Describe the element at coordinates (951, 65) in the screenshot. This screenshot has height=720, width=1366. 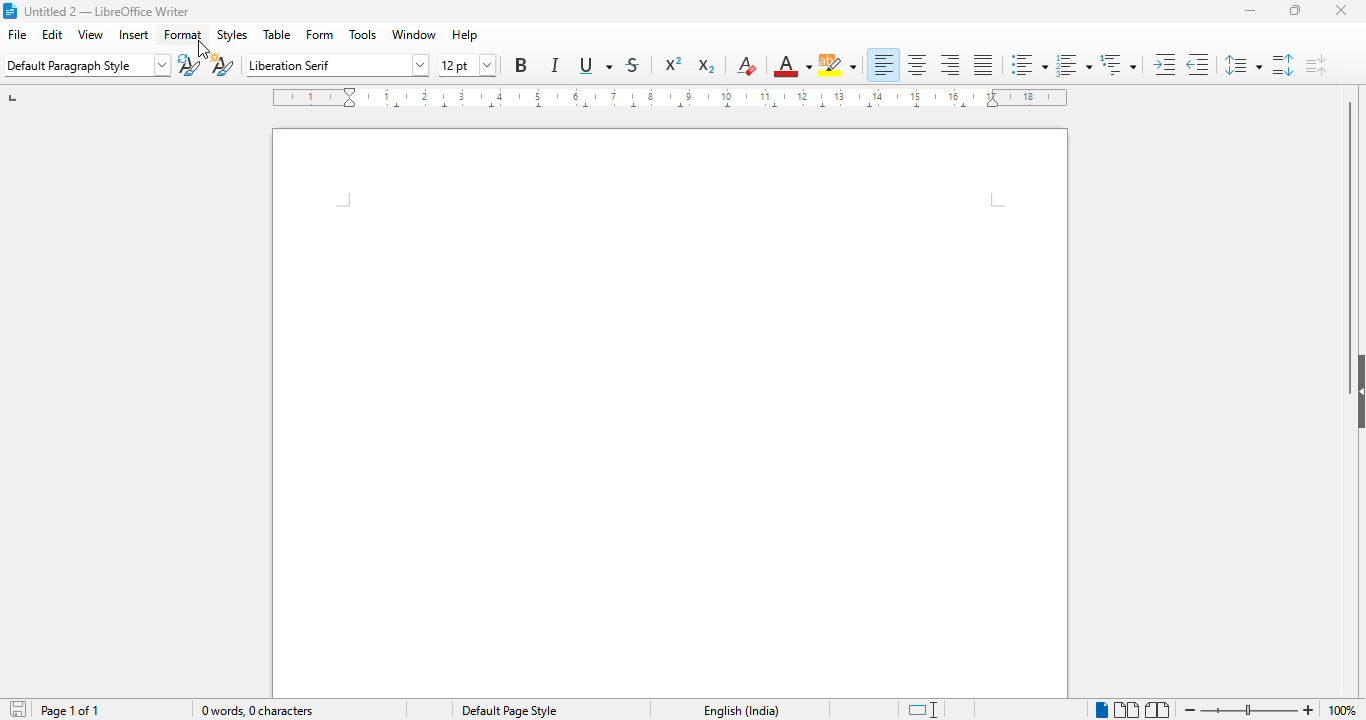
I see `align right` at that location.